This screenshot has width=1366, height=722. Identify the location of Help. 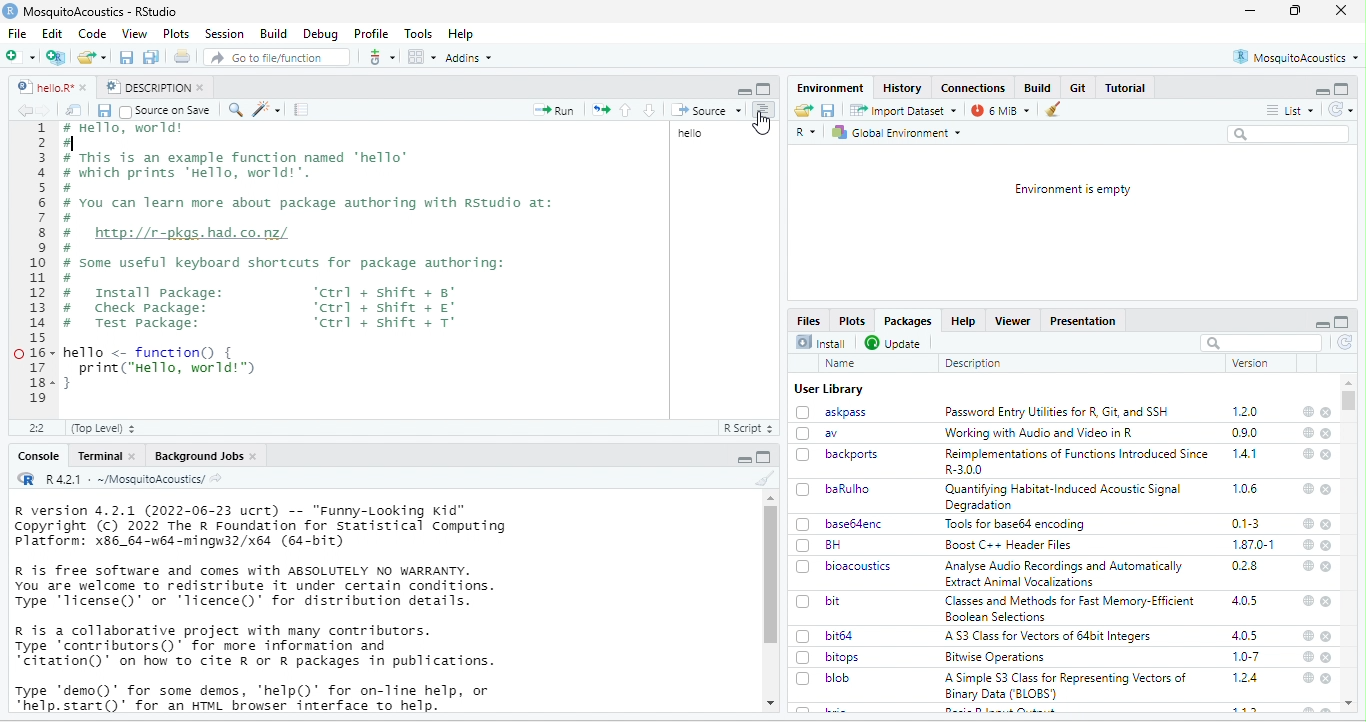
(463, 34).